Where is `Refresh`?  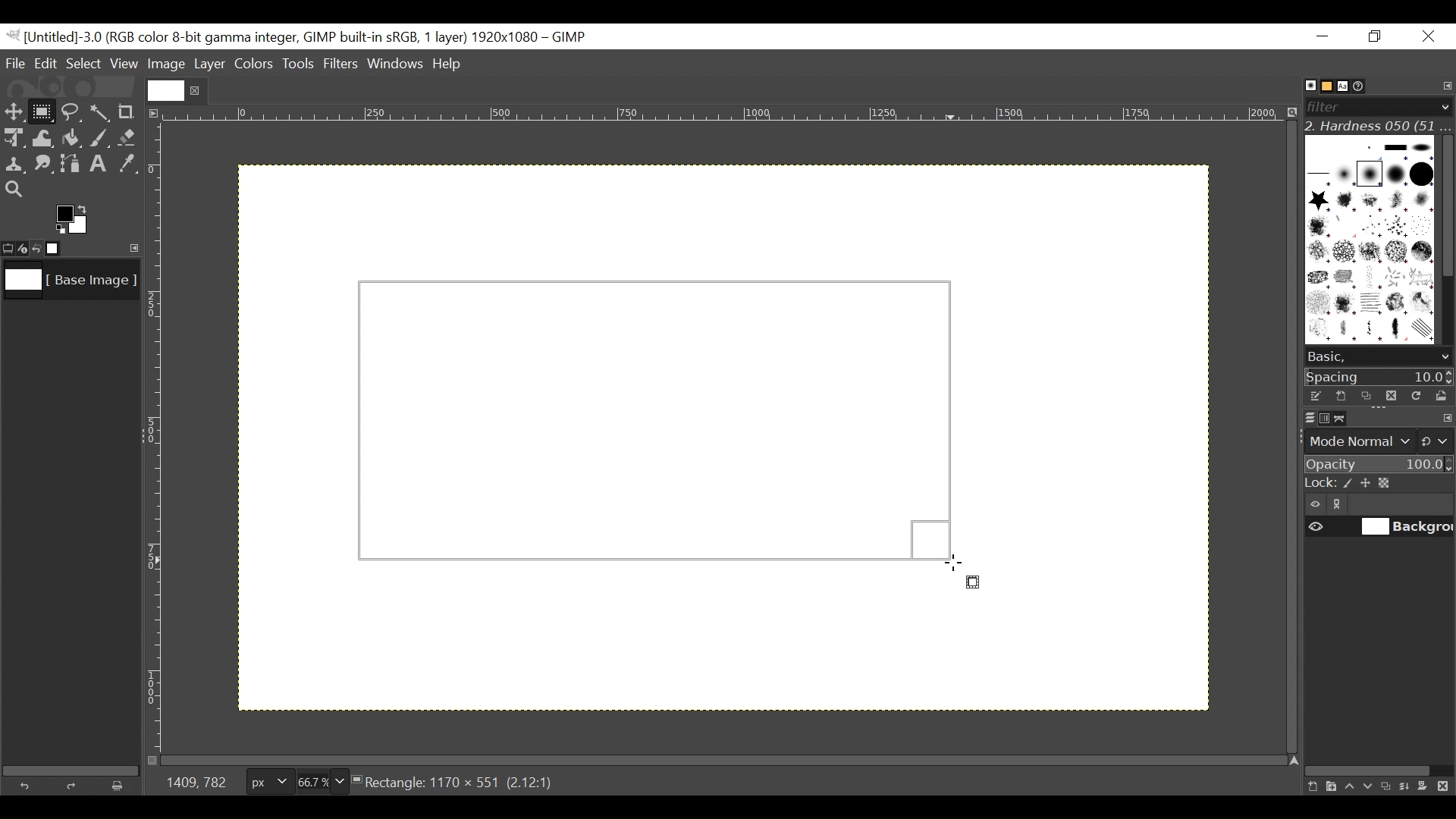 Refresh is located at coordinates (1414, 394).